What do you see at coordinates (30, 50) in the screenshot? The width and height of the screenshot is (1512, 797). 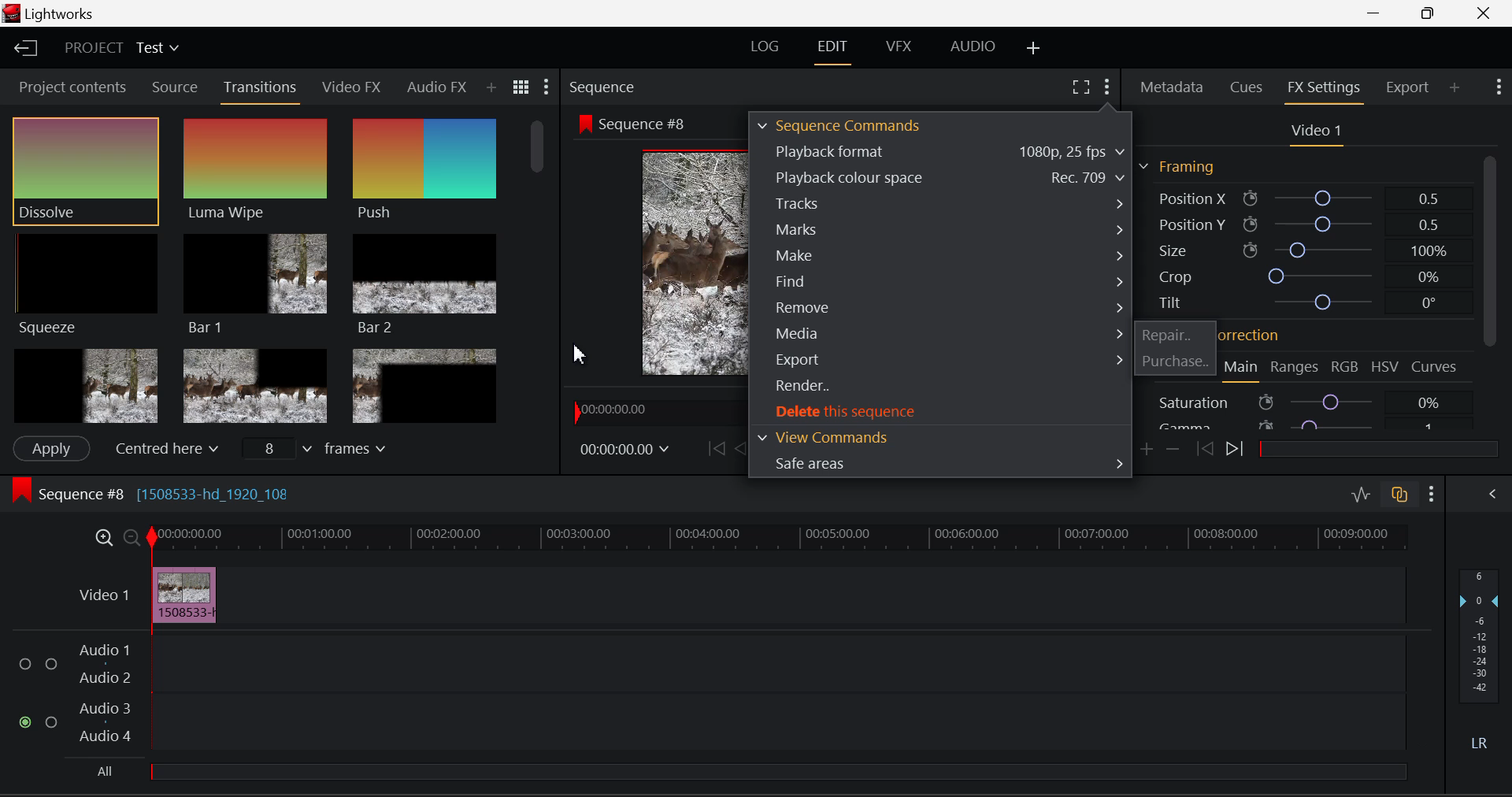 I see `Back to Homepage` at bounding box center [30, 50].